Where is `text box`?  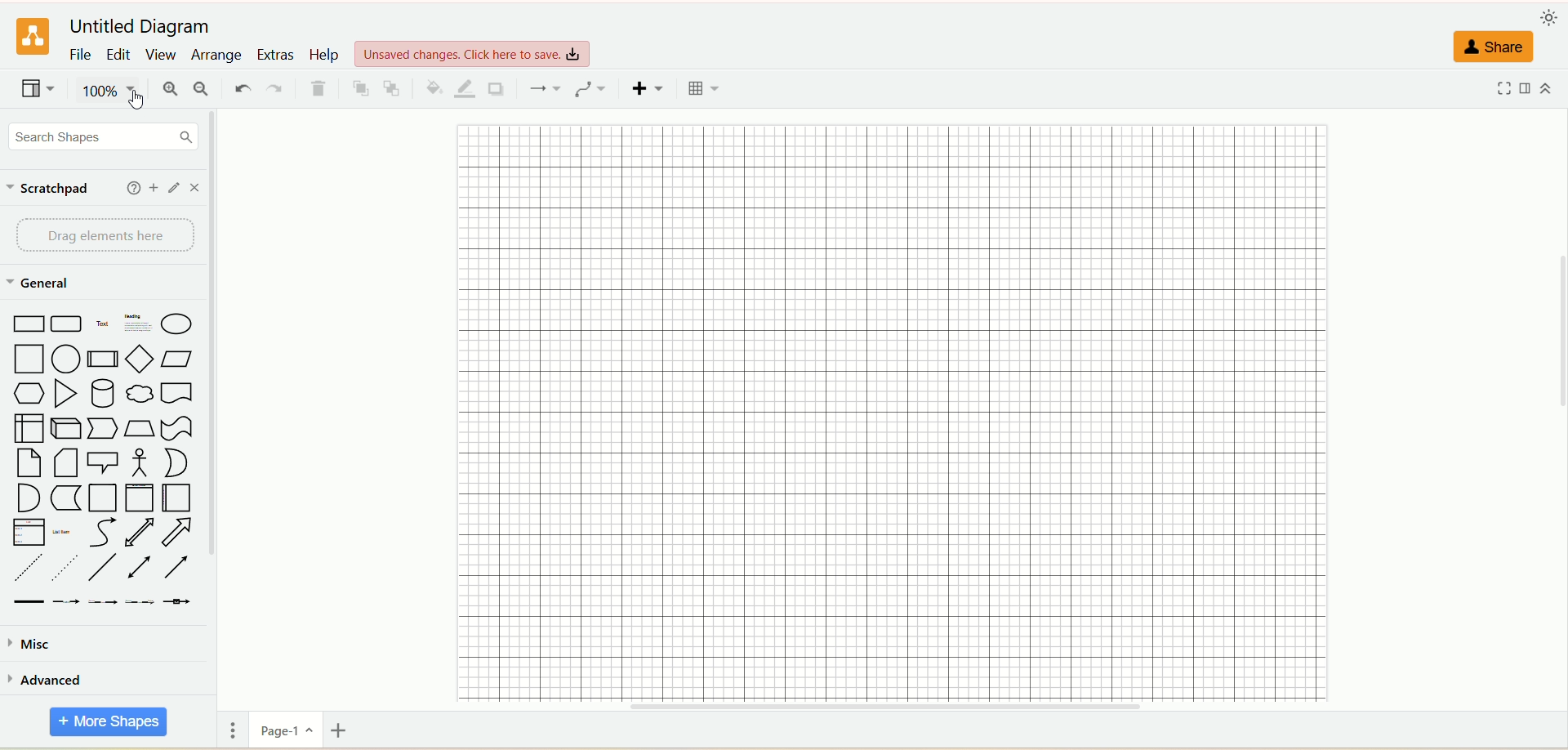
text box is located at coordinates (136, 324).